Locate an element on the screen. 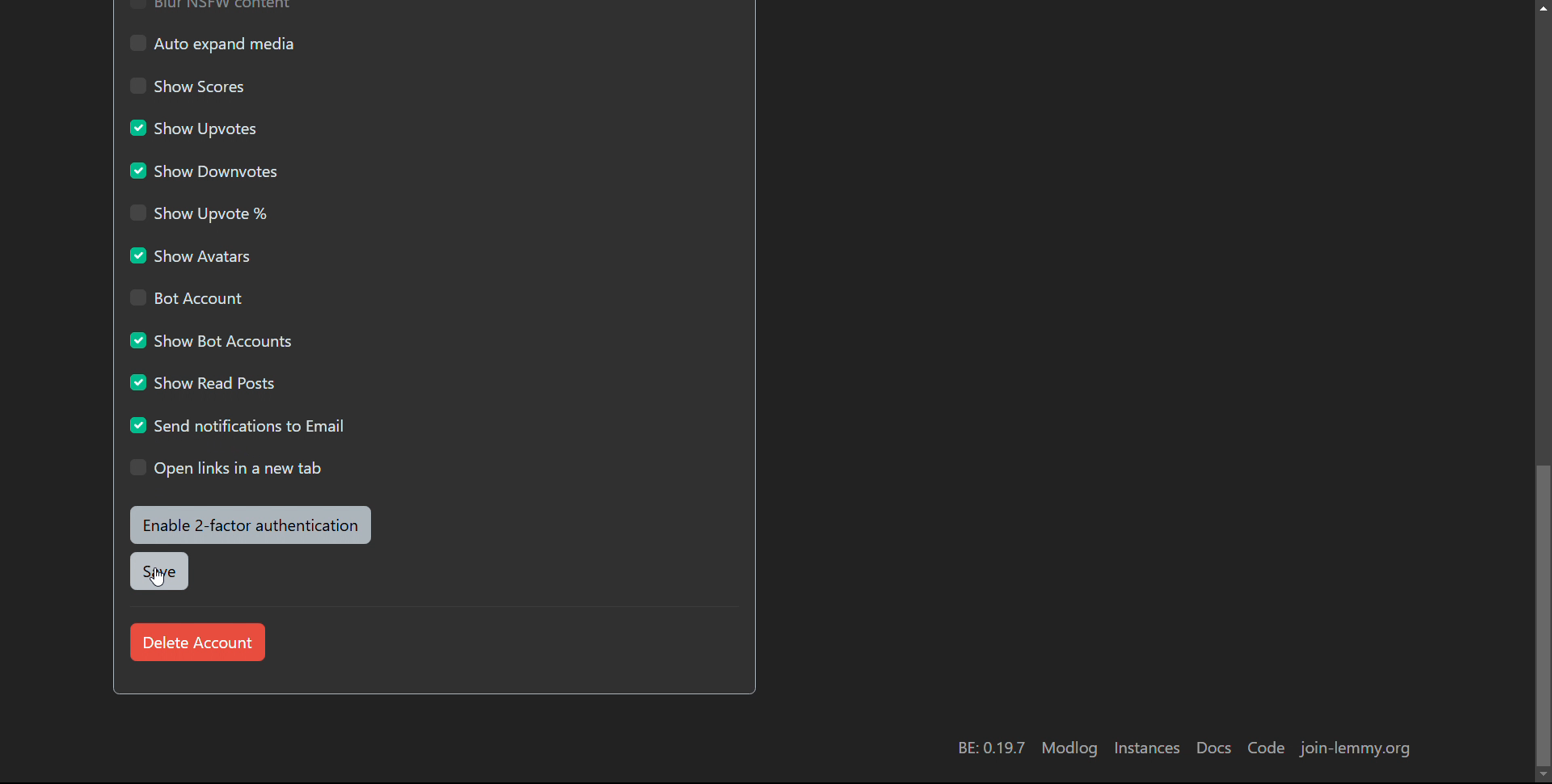 The width and height of the screenshot is (1552, 784). scrollbar moved is located at coordinates (1541, 615).